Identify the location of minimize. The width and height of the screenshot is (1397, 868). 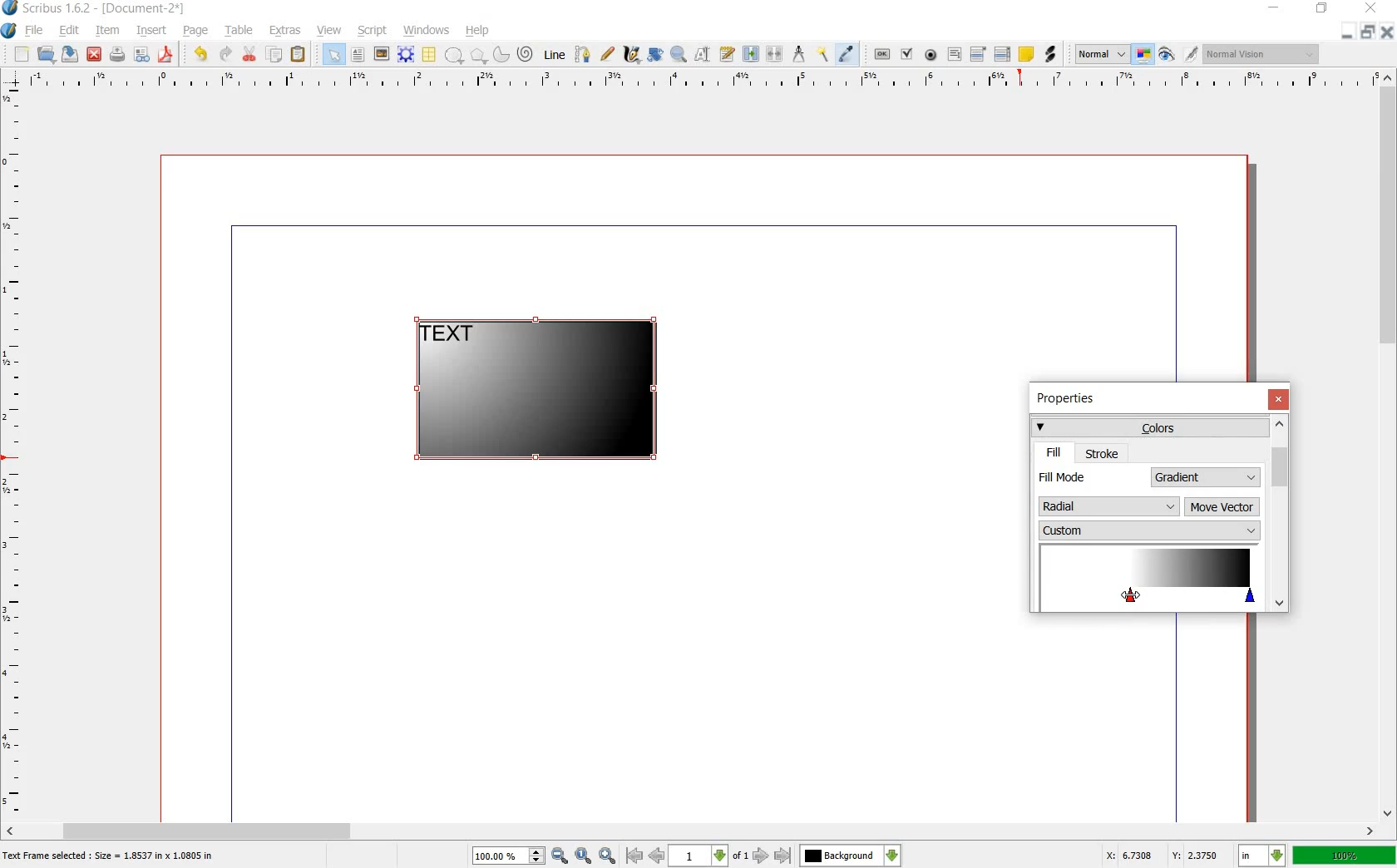
(1275, 8).